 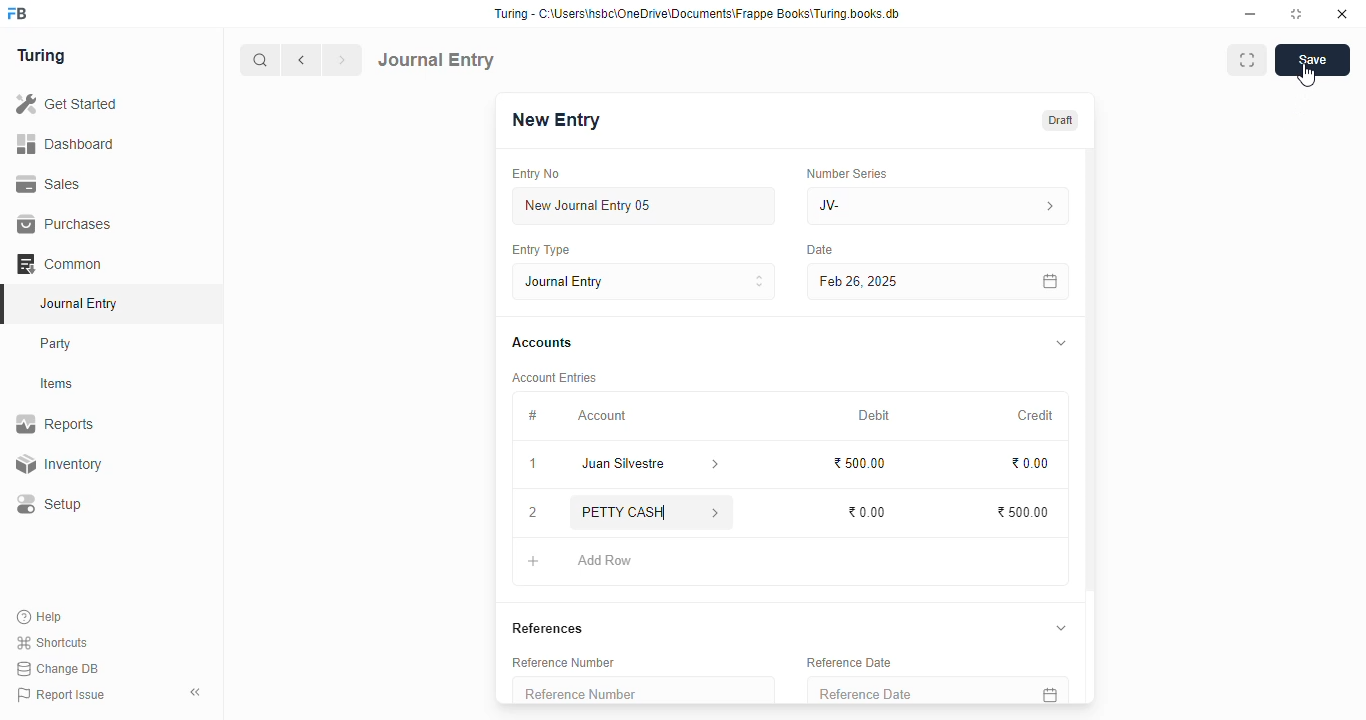 I want to click on next, so click(x=344, y=60).